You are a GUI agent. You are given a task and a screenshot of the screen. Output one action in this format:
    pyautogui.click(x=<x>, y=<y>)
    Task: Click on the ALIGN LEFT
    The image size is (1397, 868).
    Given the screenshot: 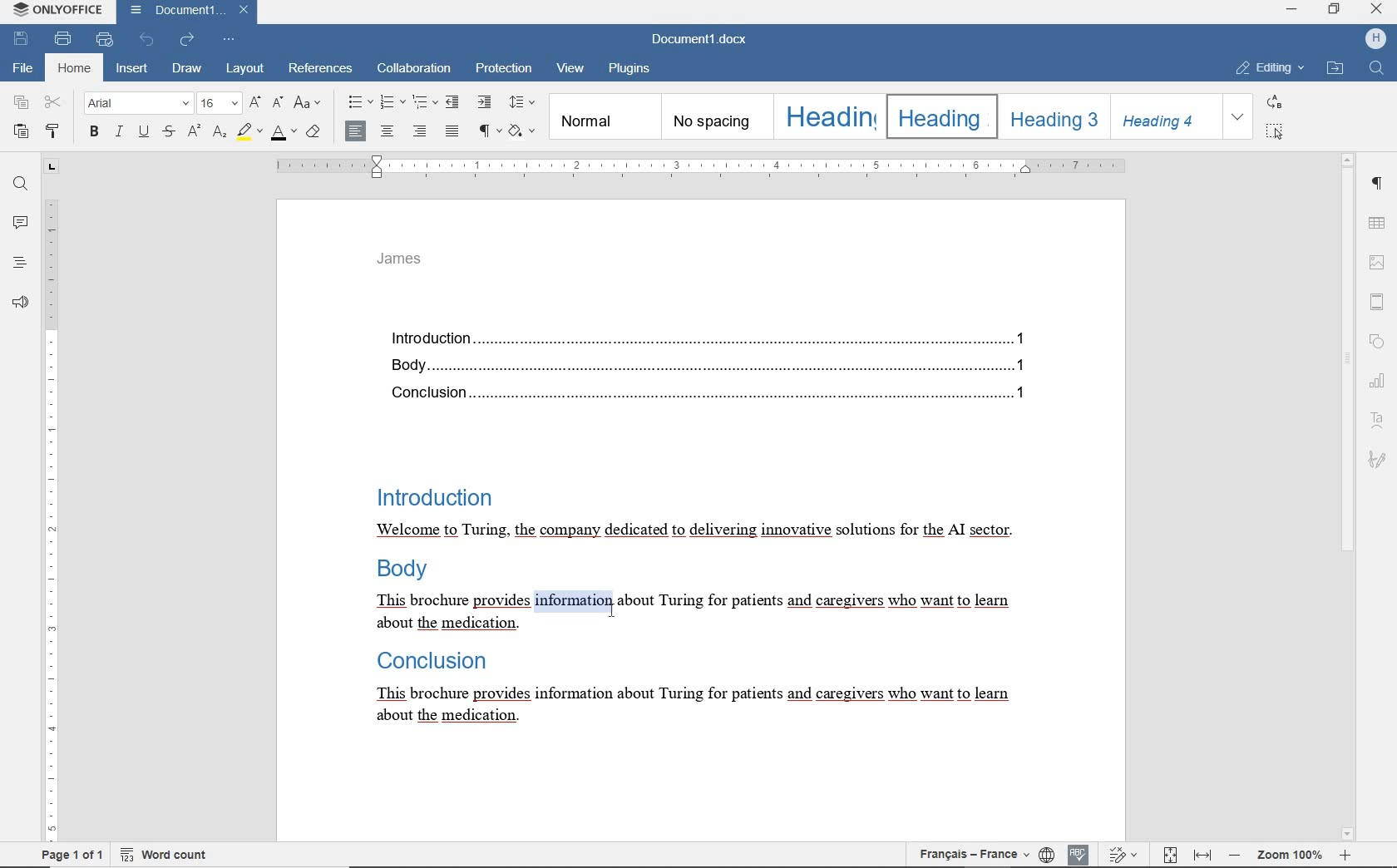 What is the action you would take?
    pyautogui.click(x=356, y=130)
    